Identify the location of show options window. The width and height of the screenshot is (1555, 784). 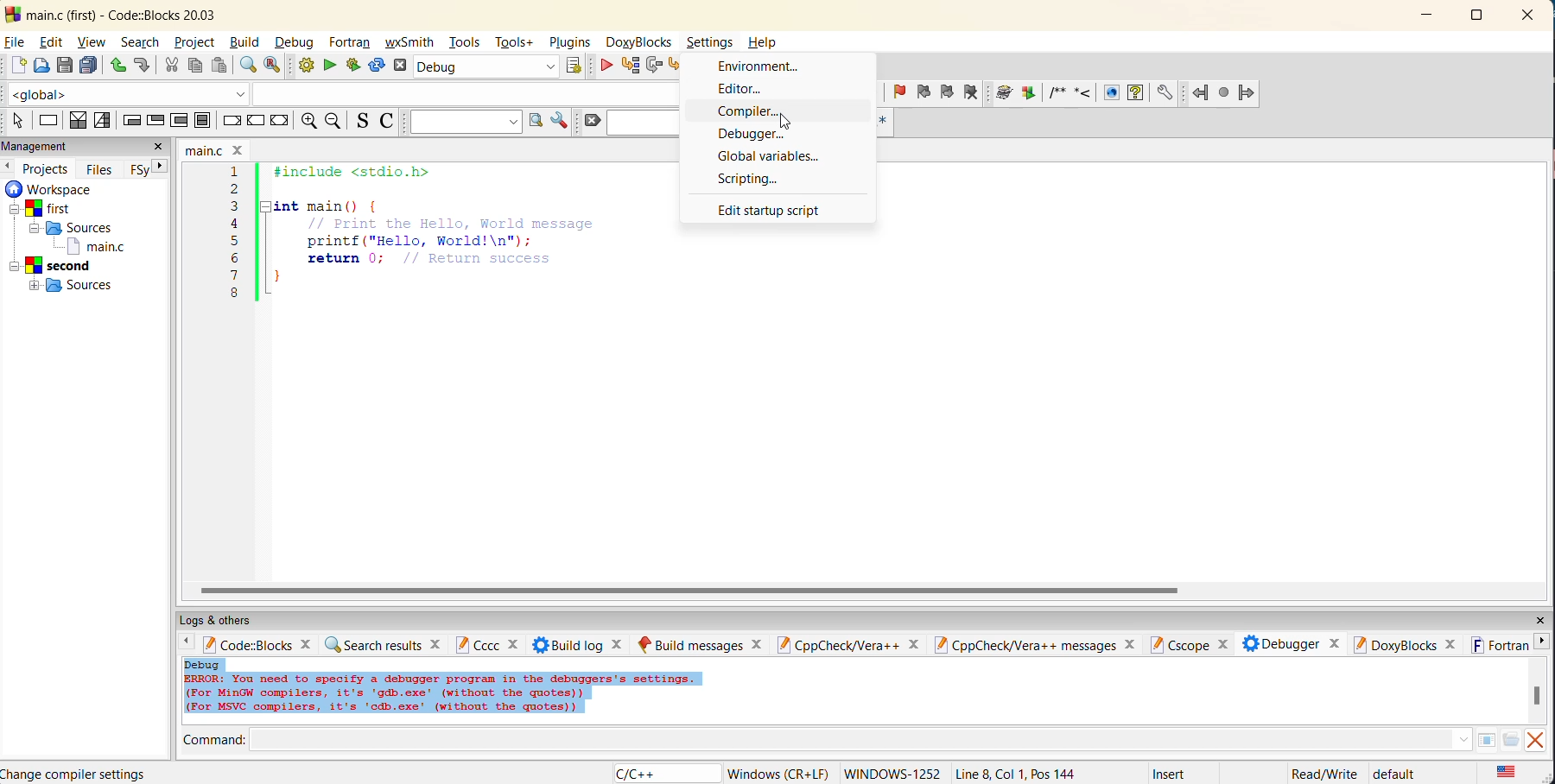
(562, 119).